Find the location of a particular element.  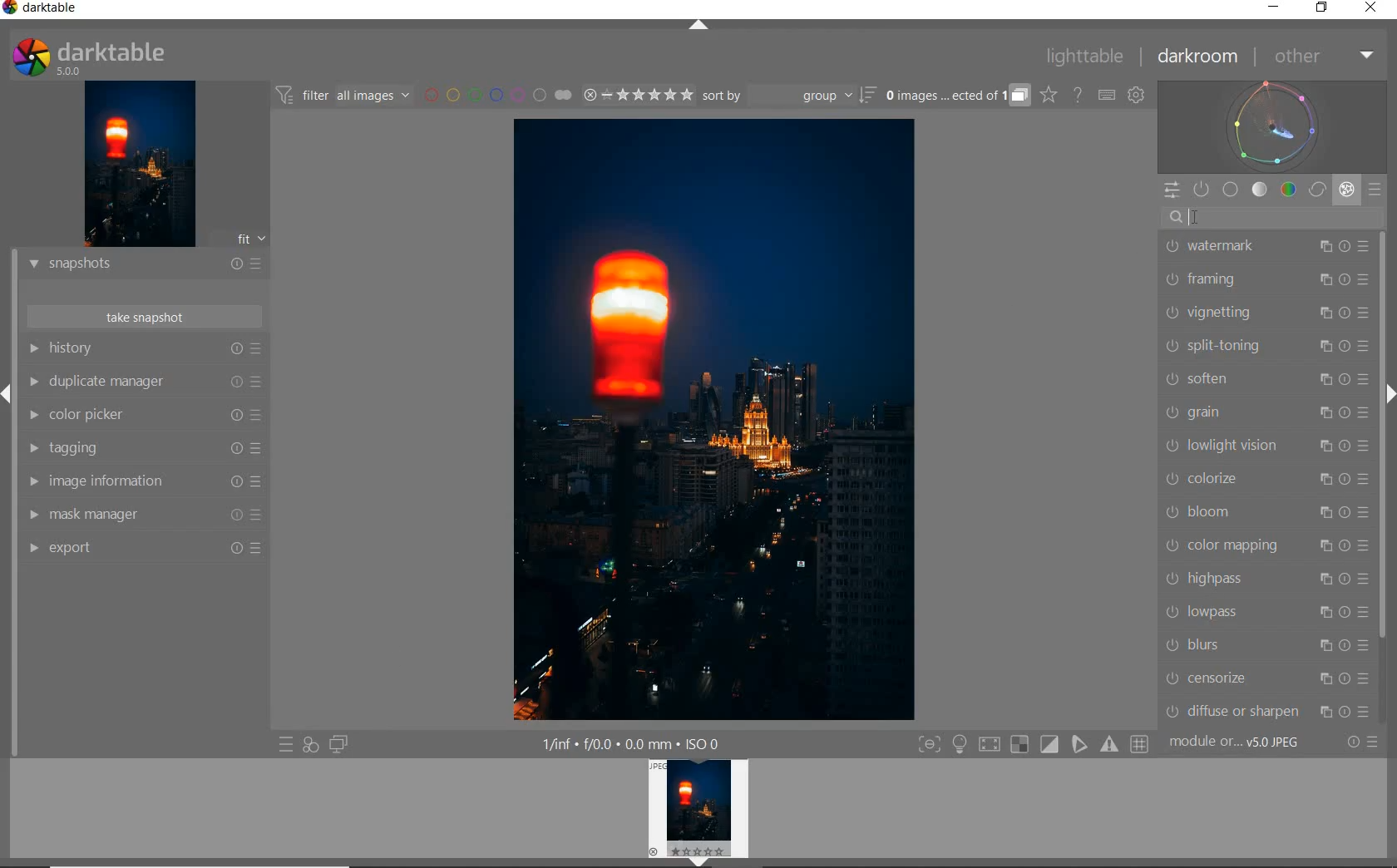

RANGE RATING OF SELECTED IMAGES is located at coordinates (635, 96).